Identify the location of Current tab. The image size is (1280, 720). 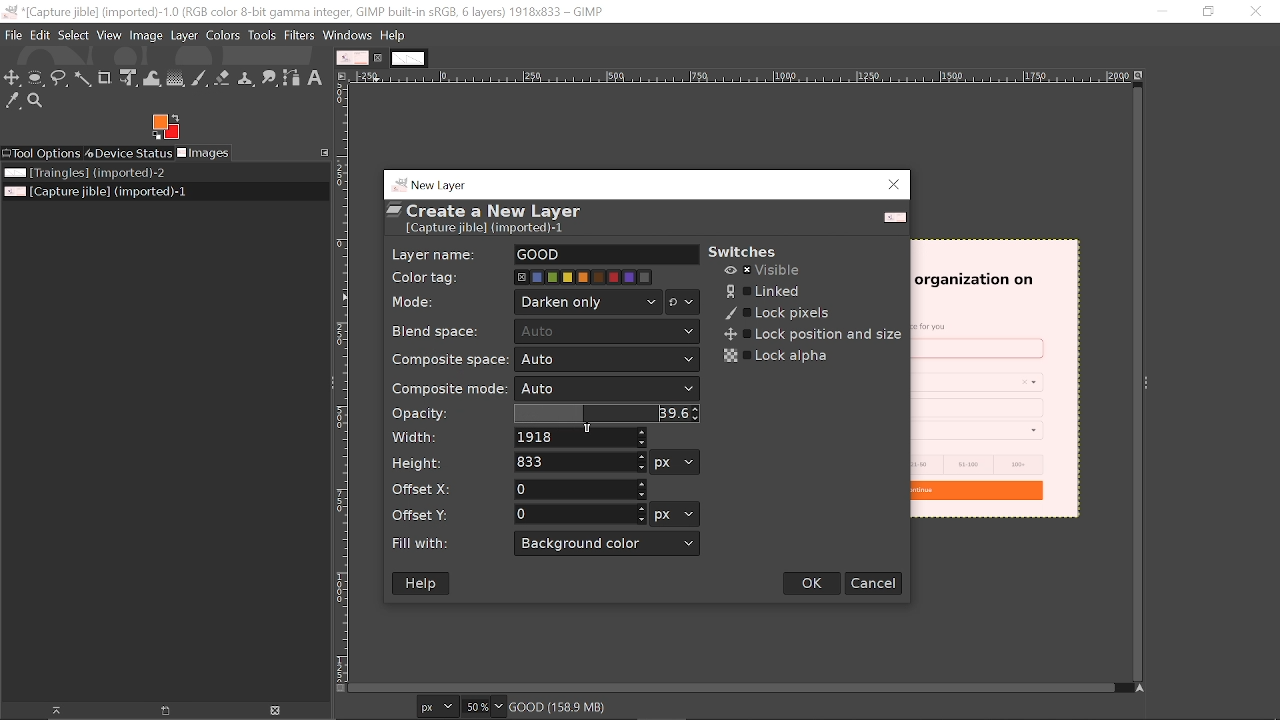
(353, 58).